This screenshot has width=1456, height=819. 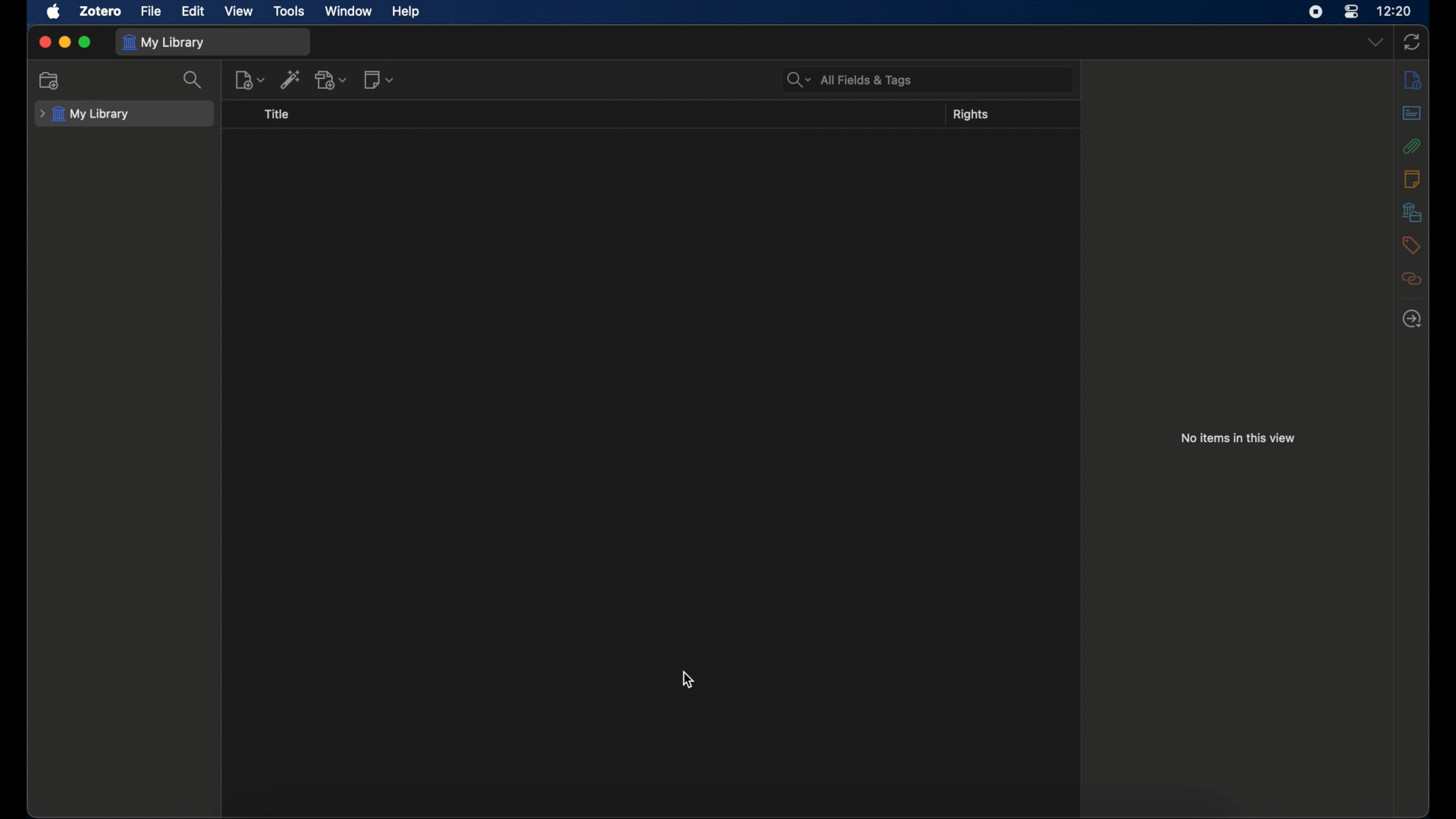 What do you see at coordinates (49, 80) in the screenshot?
I see `new collection` at bounding box center [49, 80].